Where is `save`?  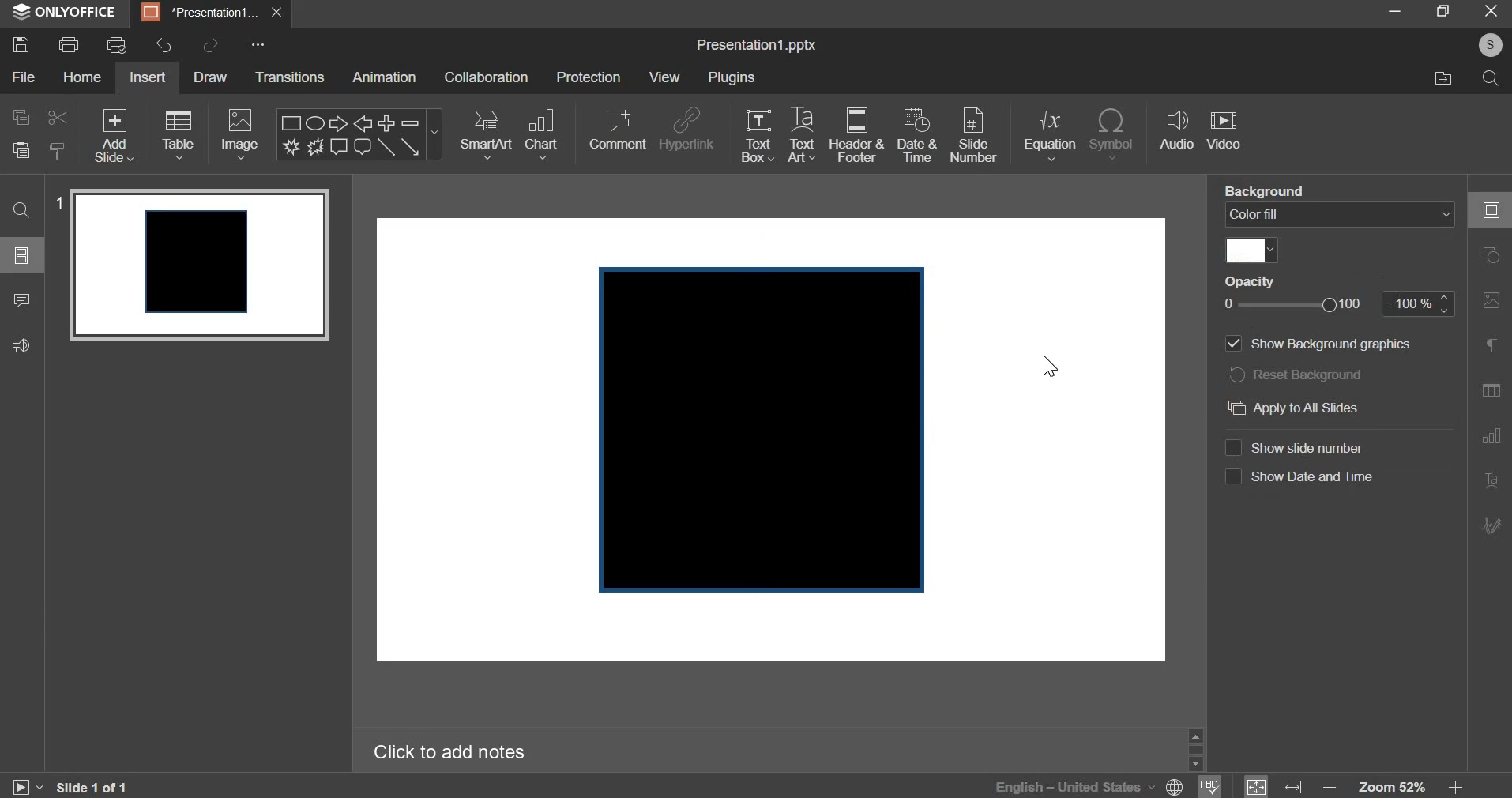
save is located at coordinates (22, 44).